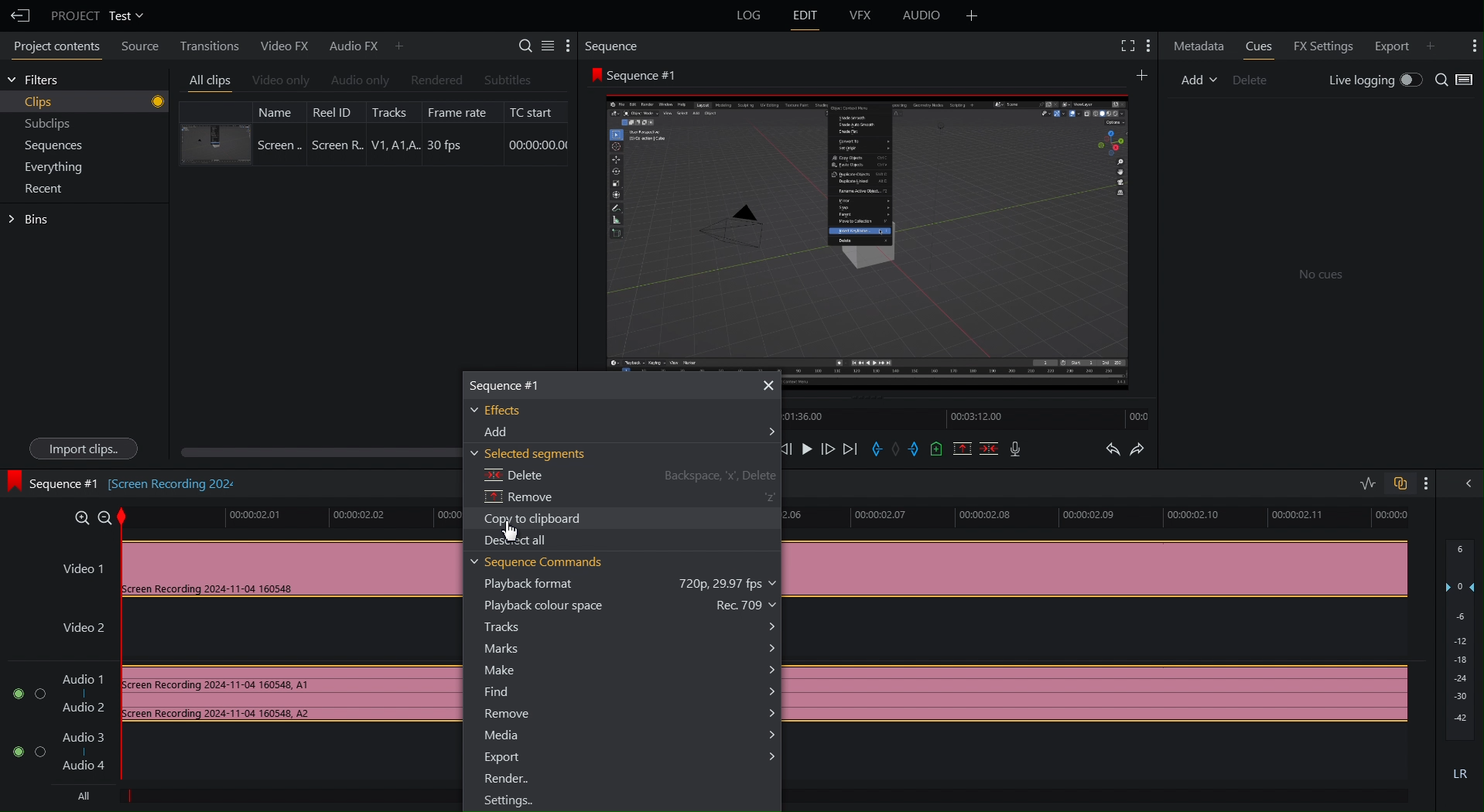 The width and height of the screenshot is (1484, 812). I want to click on Toggle Audio Editing, so click(1363, 481).